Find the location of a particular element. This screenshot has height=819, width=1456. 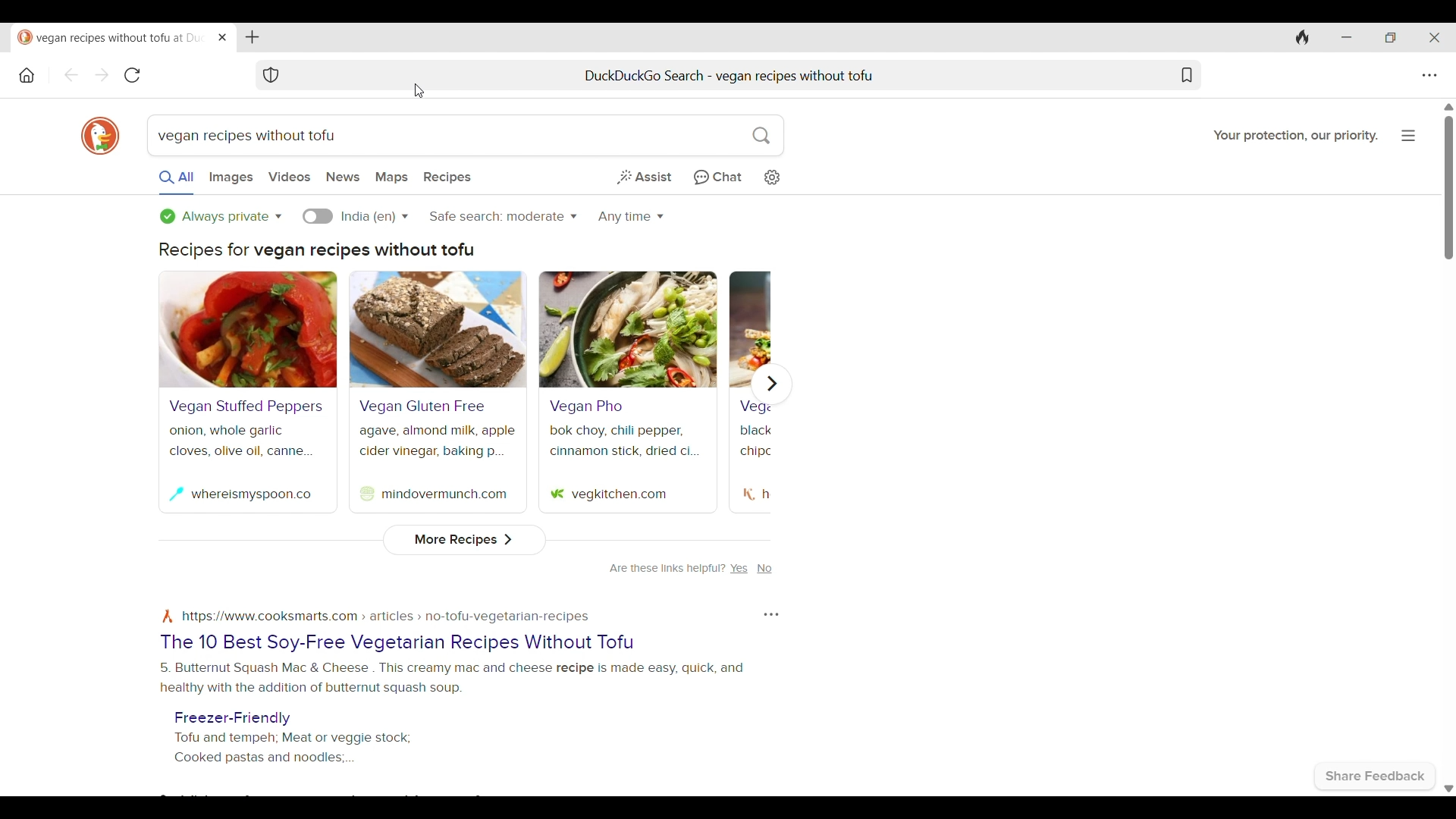

vegan recipes without tofu is located at coordinates (254, 136).